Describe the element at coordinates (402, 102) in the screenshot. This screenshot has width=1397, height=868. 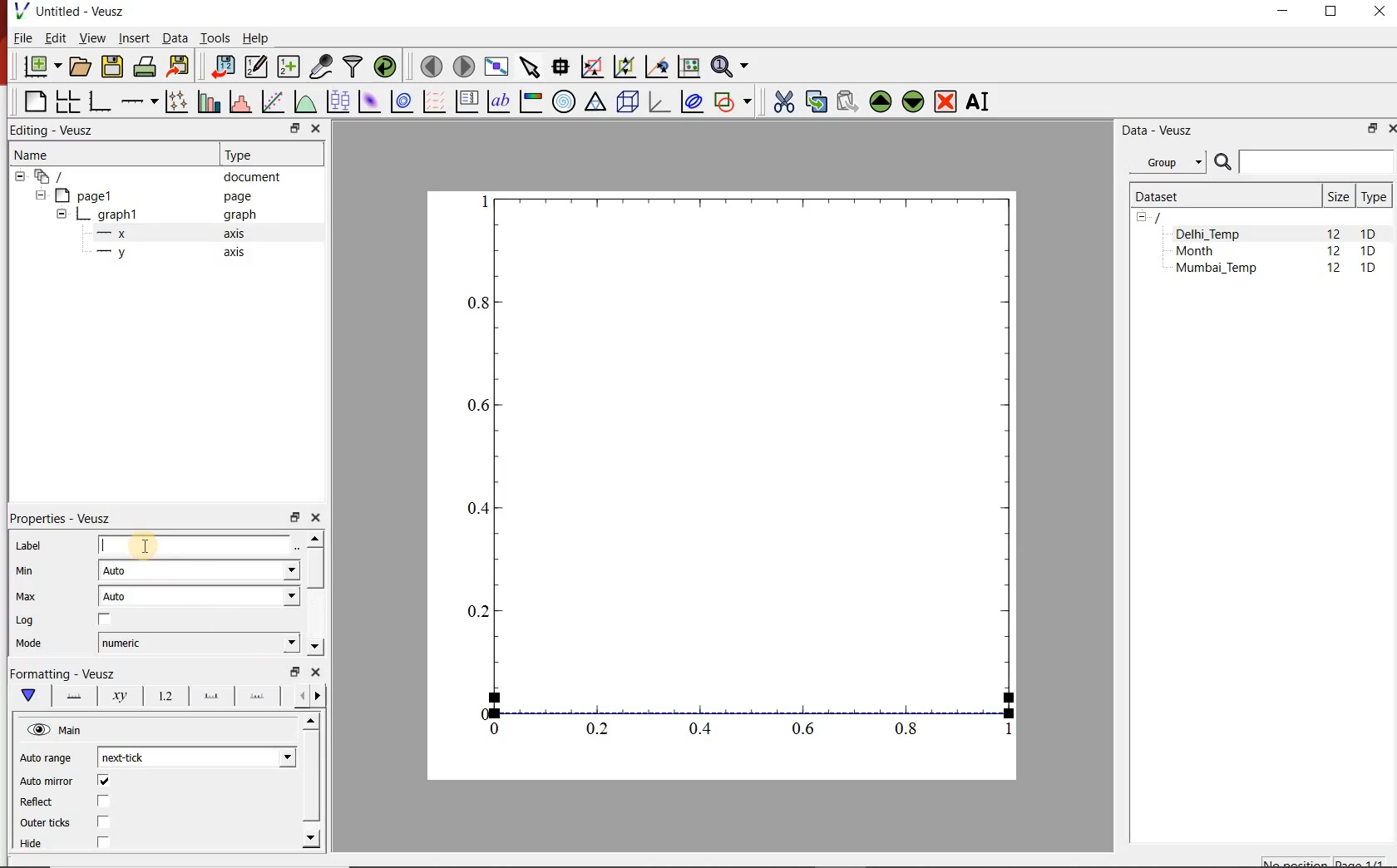
I see `plot a 2d dataset as contours` at that location.